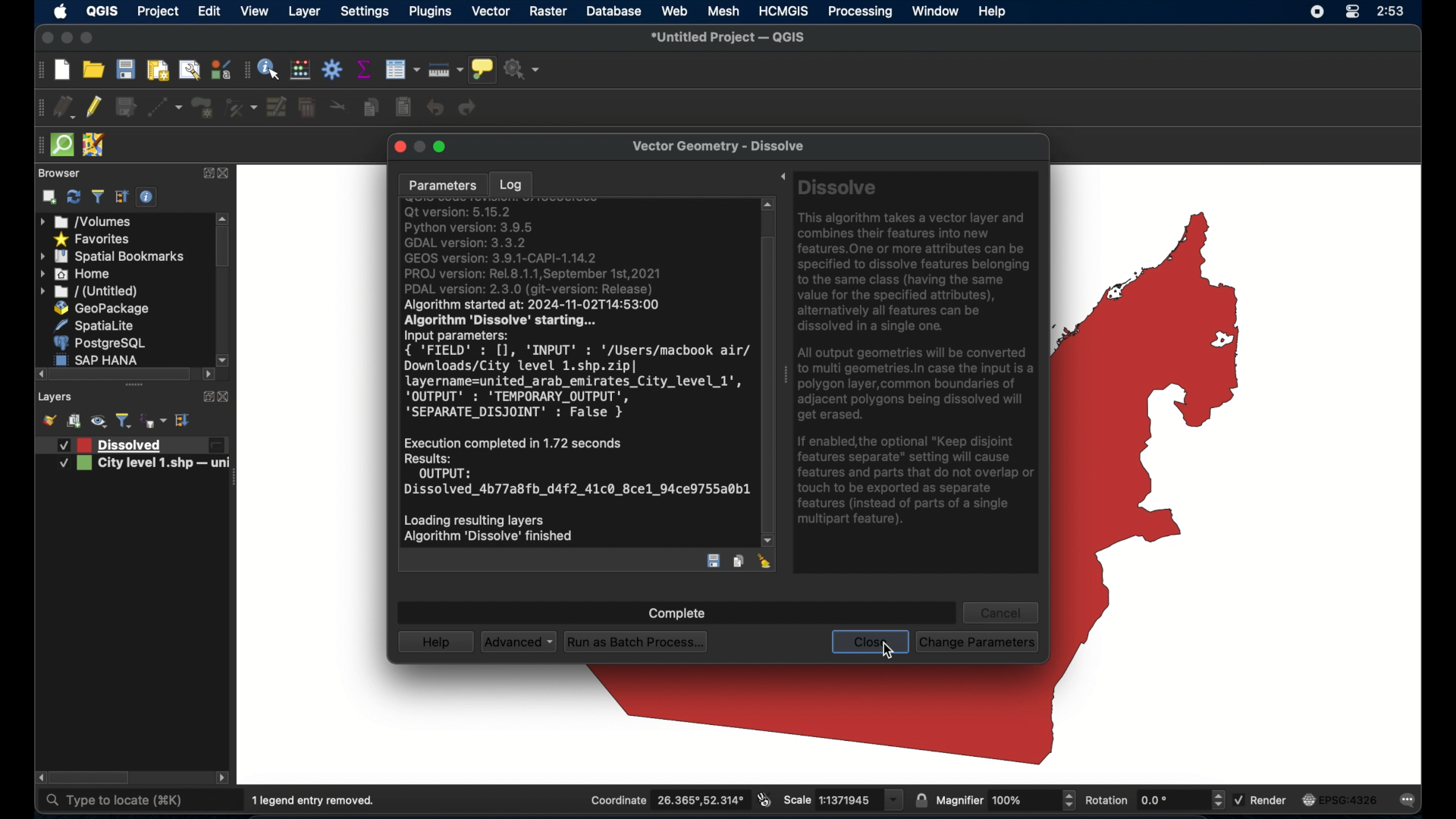  Describe the element at coordinates (980, 642) in the screenshot. I see `Change parameters` at that location.